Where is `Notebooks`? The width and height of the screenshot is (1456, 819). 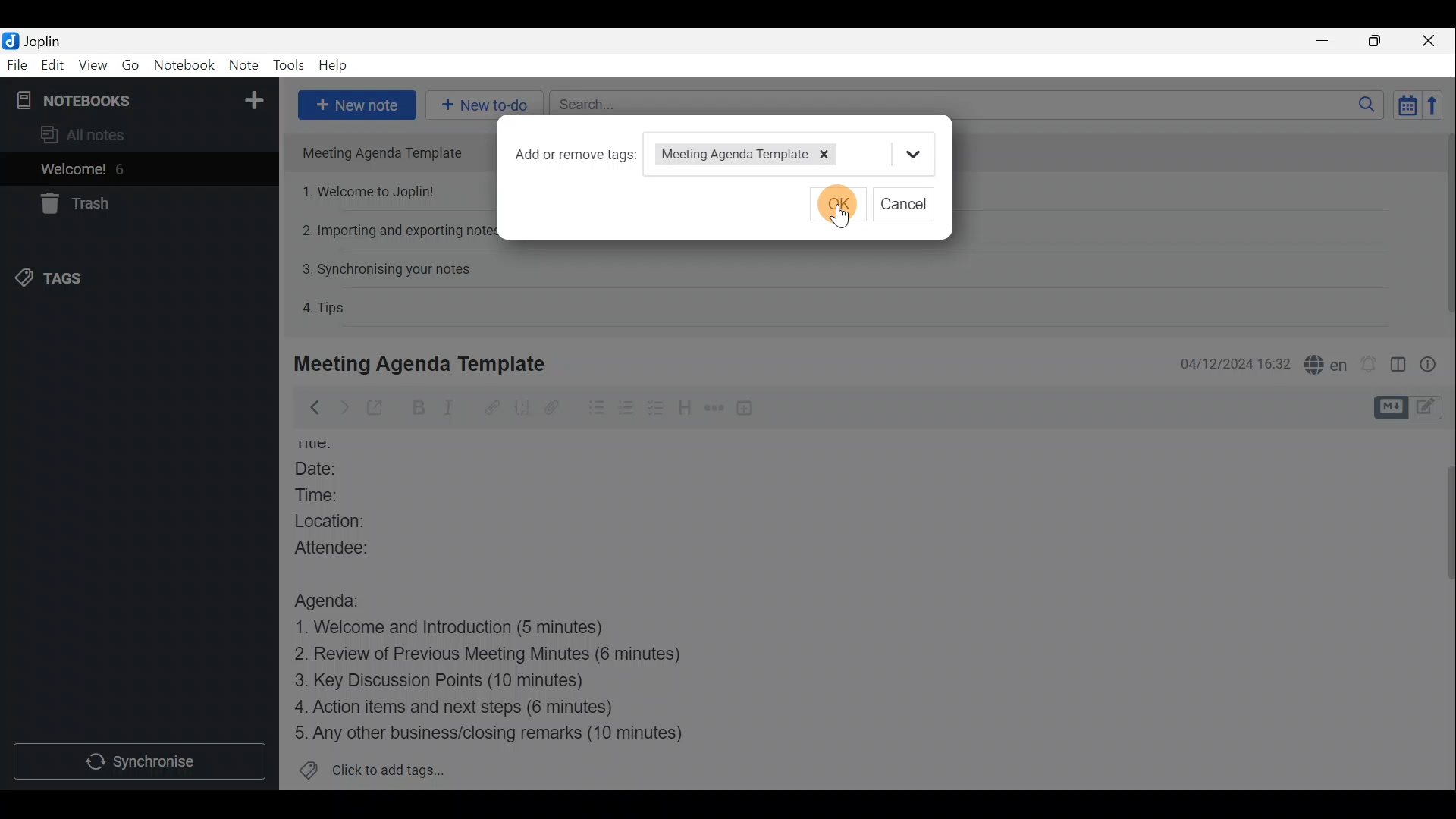 Notebooks is located at coordinates (142, 99).